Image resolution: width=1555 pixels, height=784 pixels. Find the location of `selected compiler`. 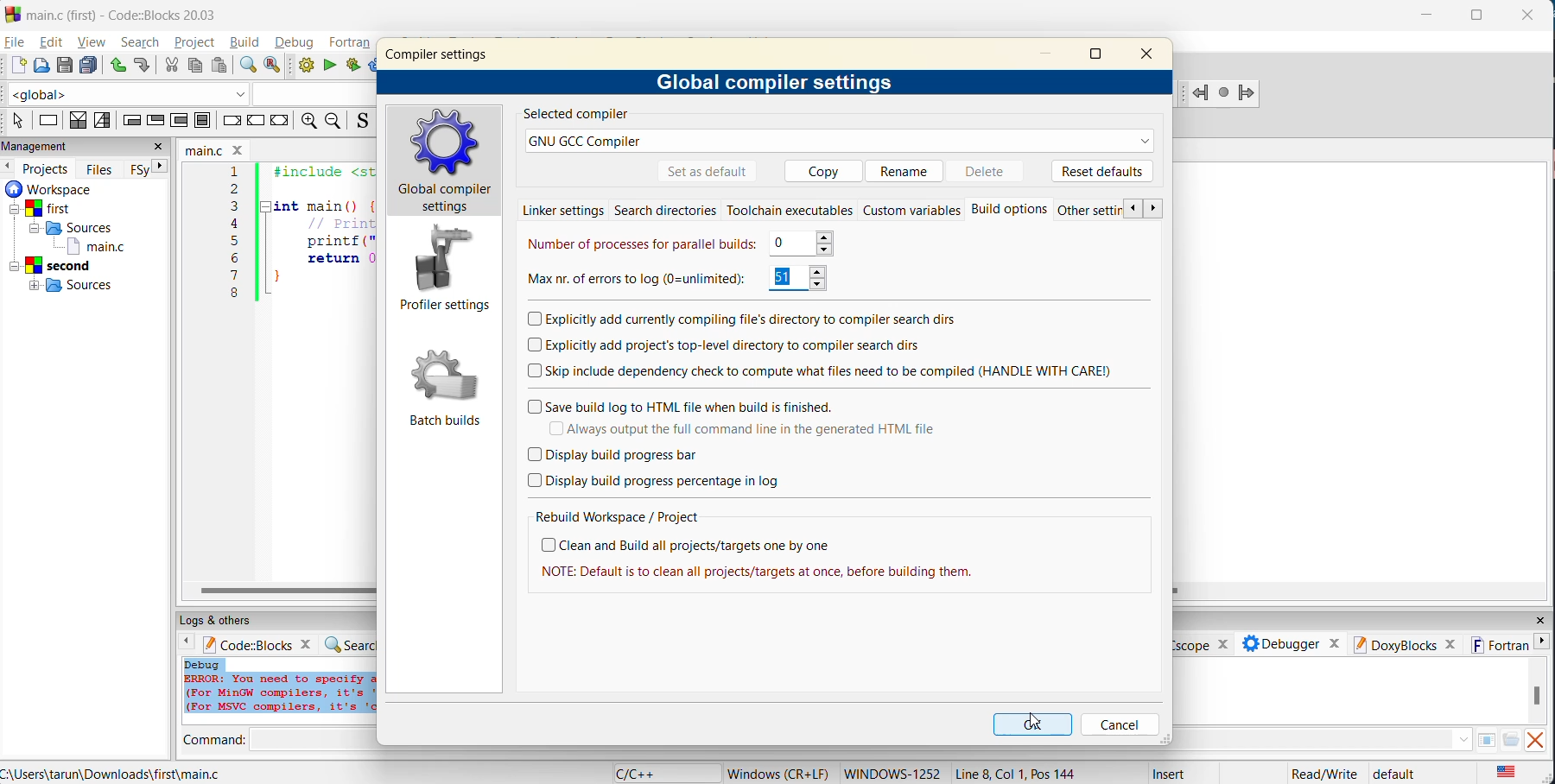

selected compiler is located at coordinates (581, 116).